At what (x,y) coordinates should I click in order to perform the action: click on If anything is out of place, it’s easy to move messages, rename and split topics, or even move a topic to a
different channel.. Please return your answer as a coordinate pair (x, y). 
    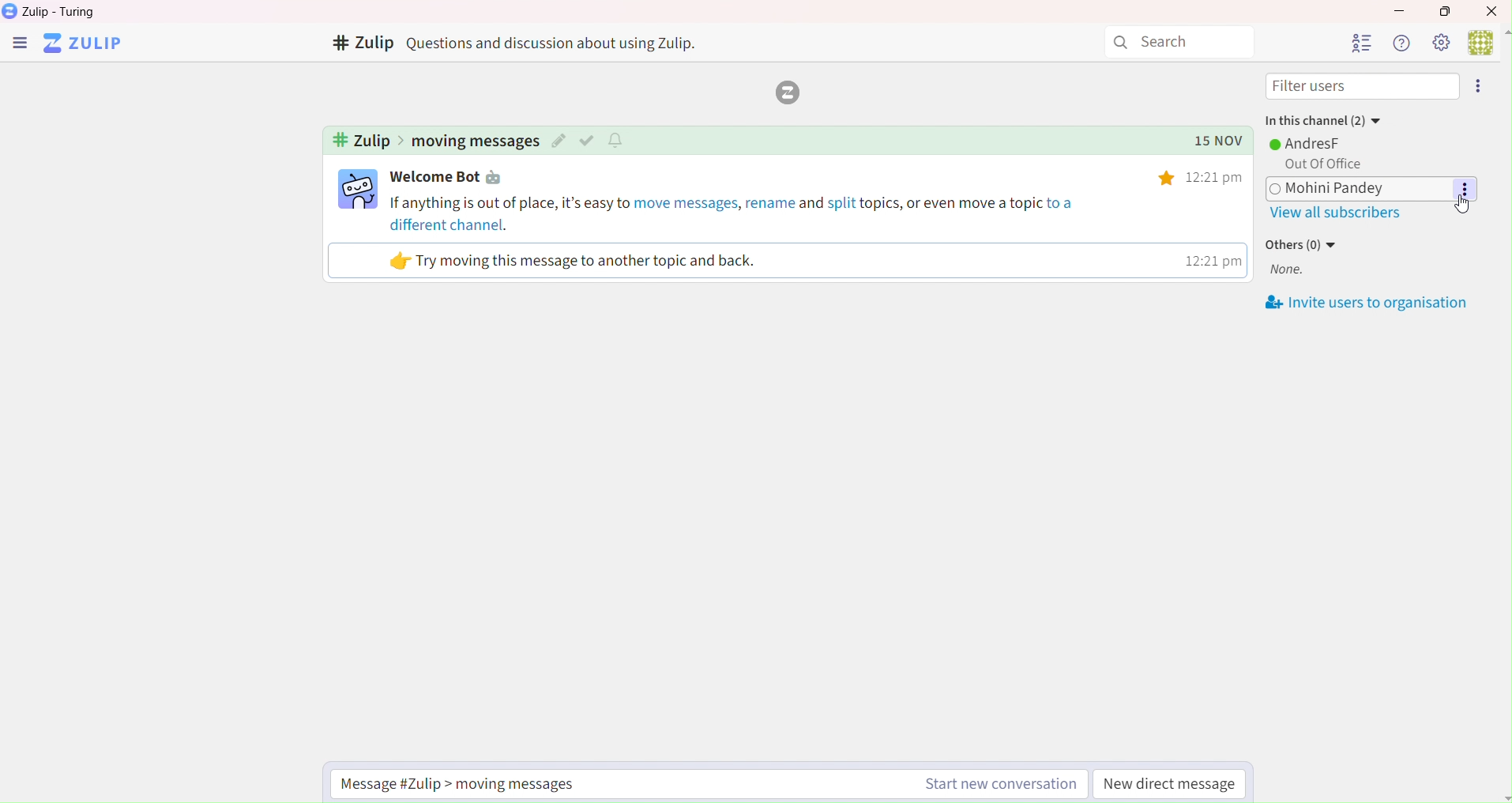
    Looking at the image, I should click on (735, 213).